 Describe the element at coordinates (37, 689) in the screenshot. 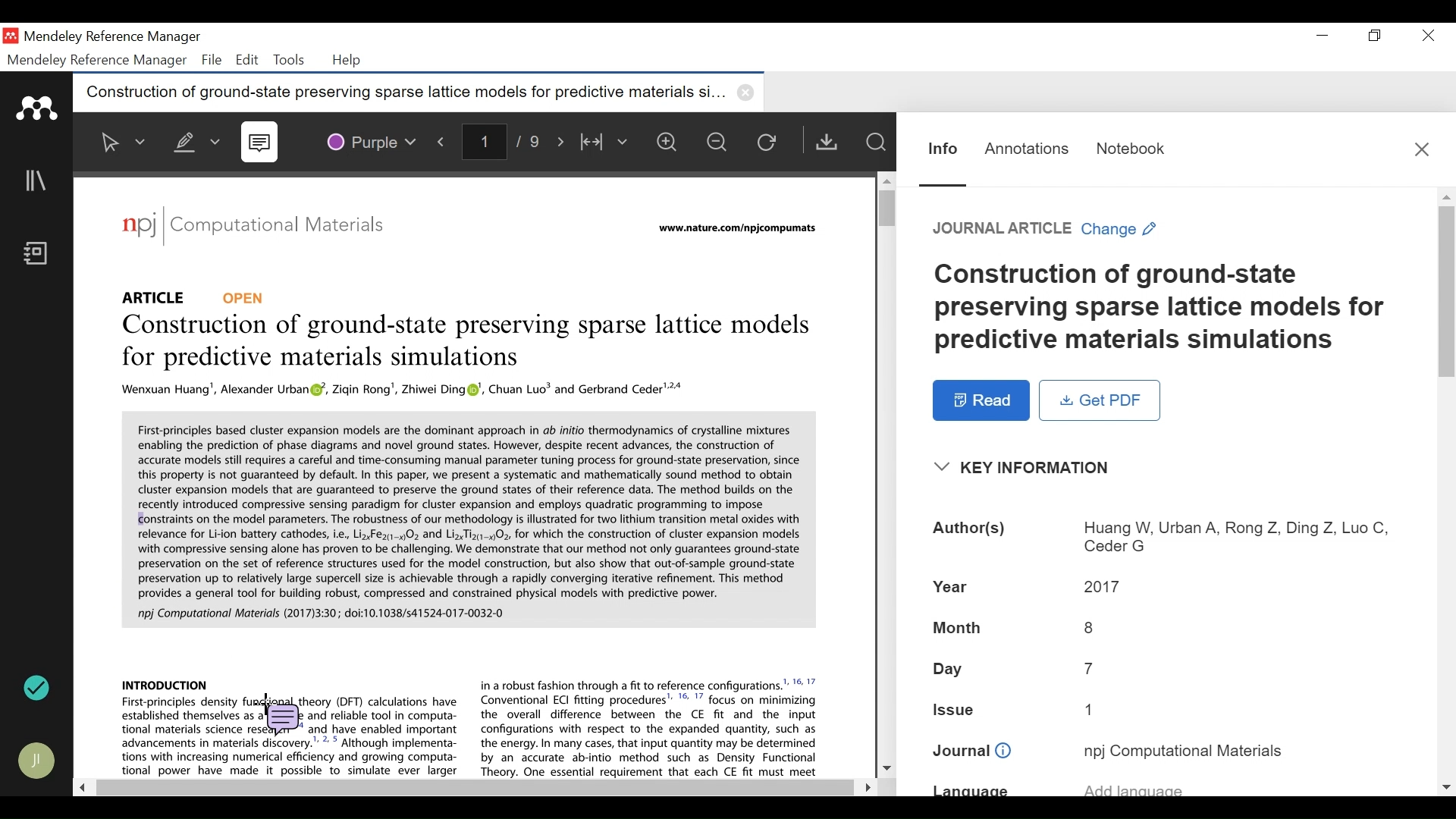

I see `Sync` at that location.